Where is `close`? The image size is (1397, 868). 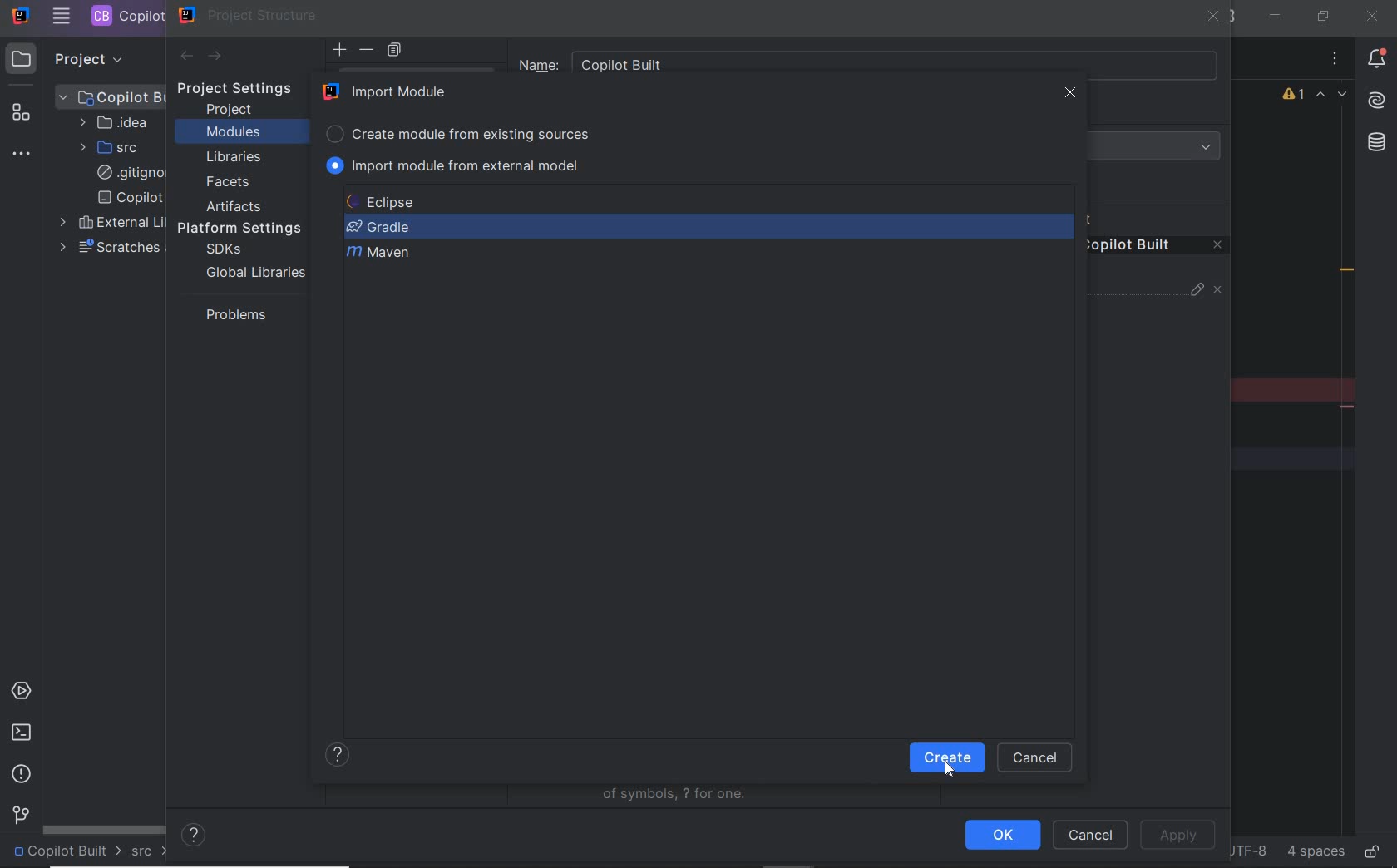
close is located at coordinates (1371, 16).